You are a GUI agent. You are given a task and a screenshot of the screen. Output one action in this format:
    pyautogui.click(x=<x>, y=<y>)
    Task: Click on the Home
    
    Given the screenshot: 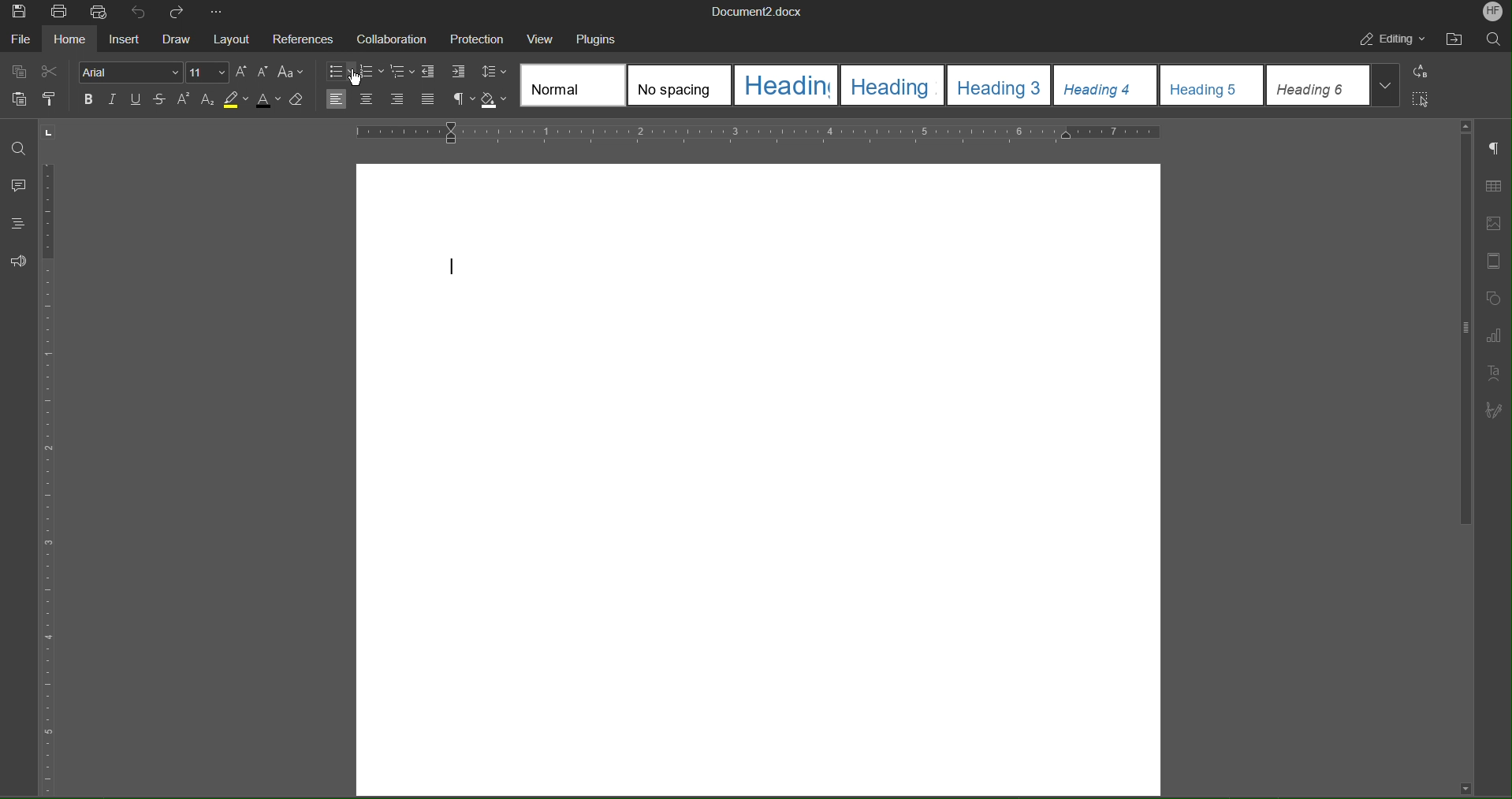 What is the action you would take?
    pyautogui.click(x=70, y=40)
    